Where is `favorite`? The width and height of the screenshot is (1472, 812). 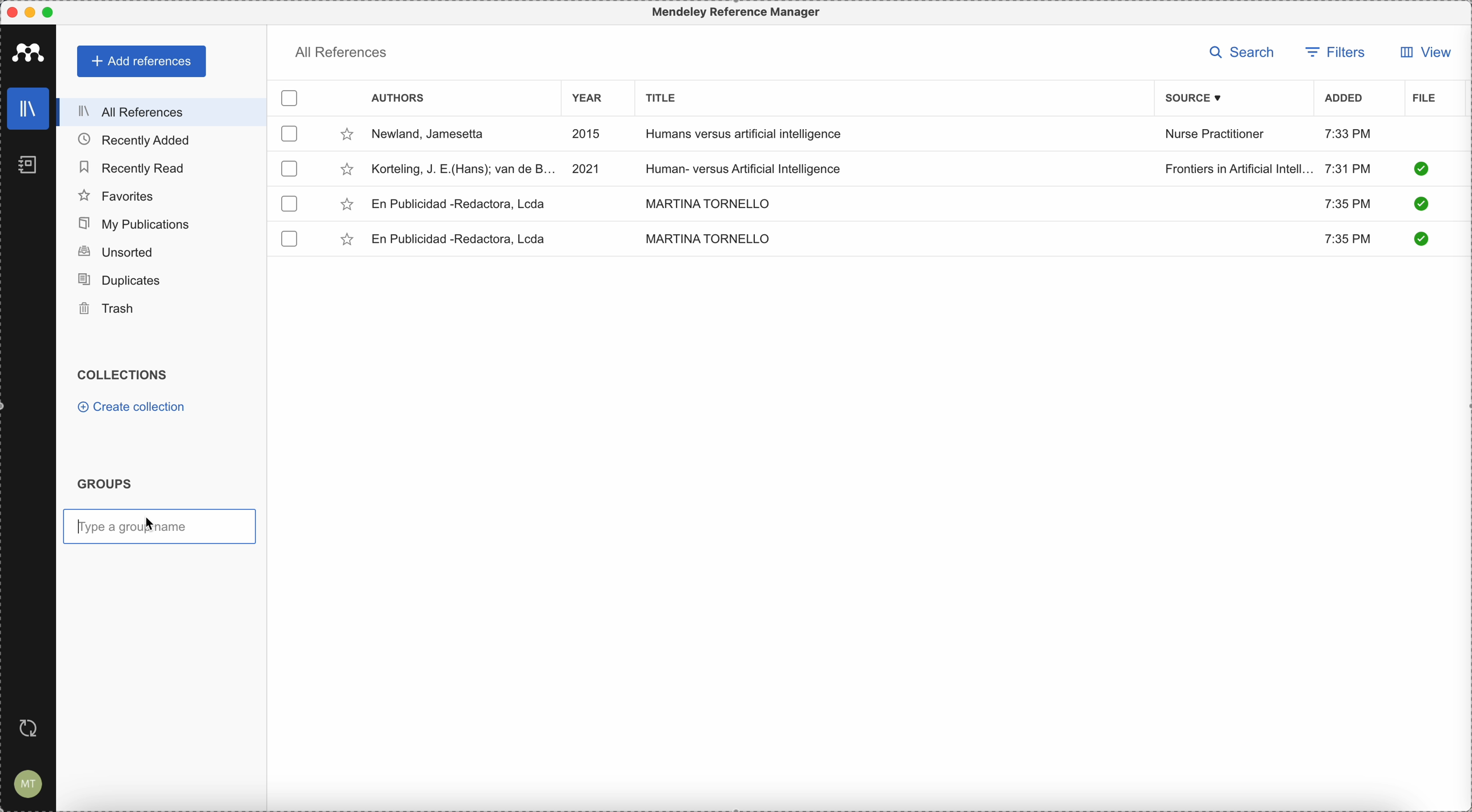
favorite is located at coordinates (346, 205).